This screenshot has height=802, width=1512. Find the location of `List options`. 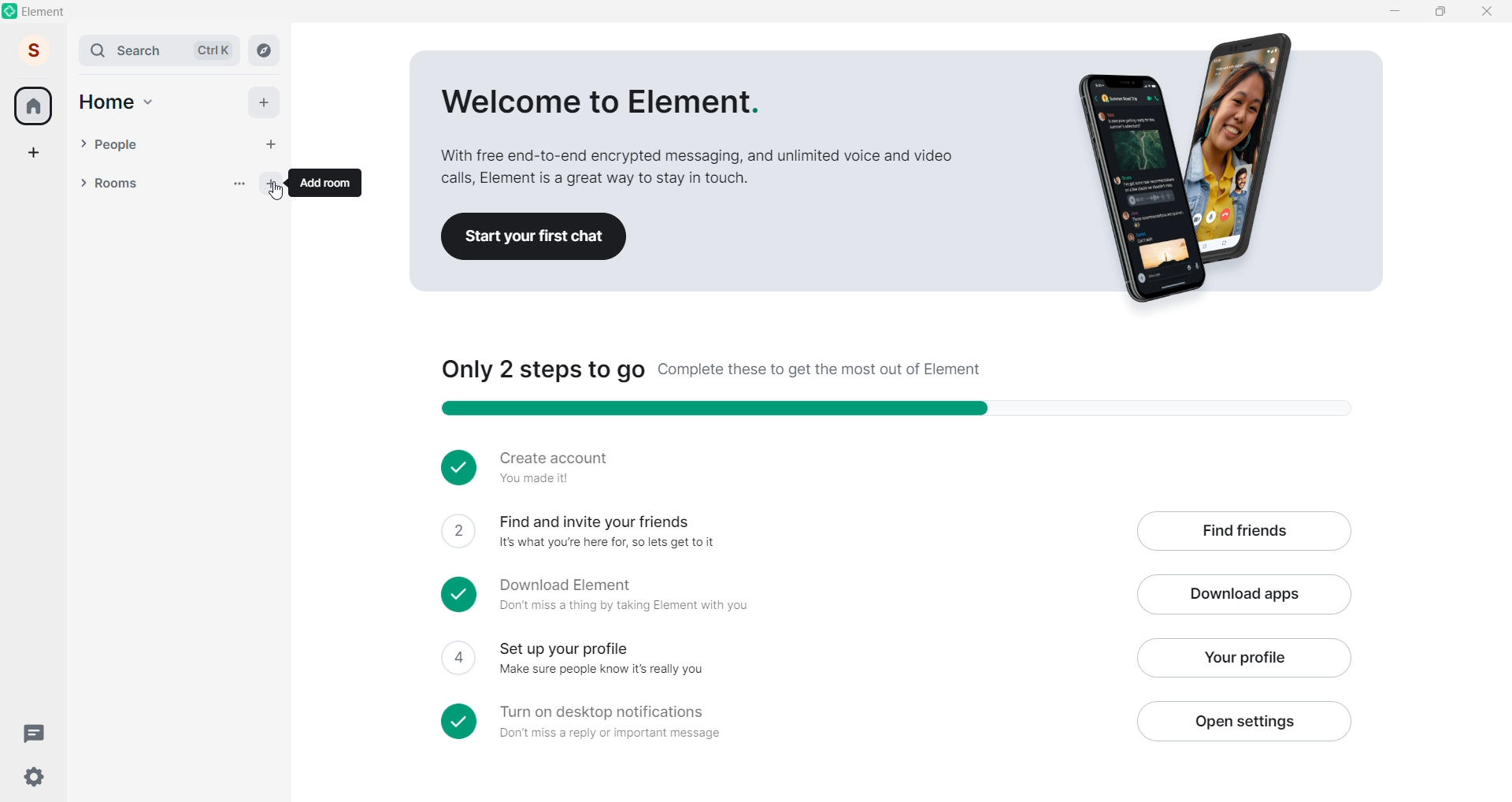

List options is located at coordinates (239, 184).